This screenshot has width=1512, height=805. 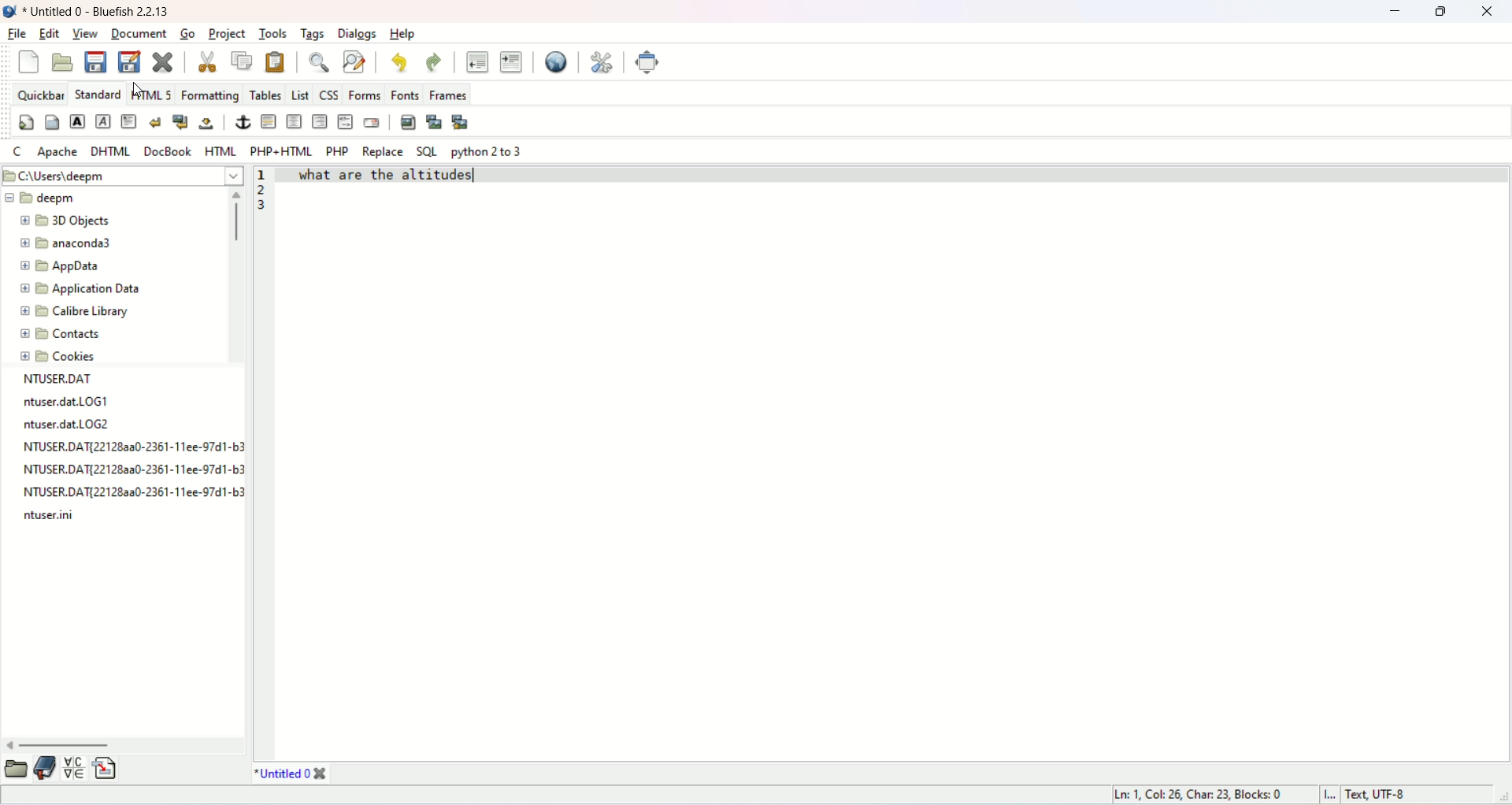 What do you see at coordinates (272, 61) in the screenshot?
I see `paste` at bounding box center [272, 61].